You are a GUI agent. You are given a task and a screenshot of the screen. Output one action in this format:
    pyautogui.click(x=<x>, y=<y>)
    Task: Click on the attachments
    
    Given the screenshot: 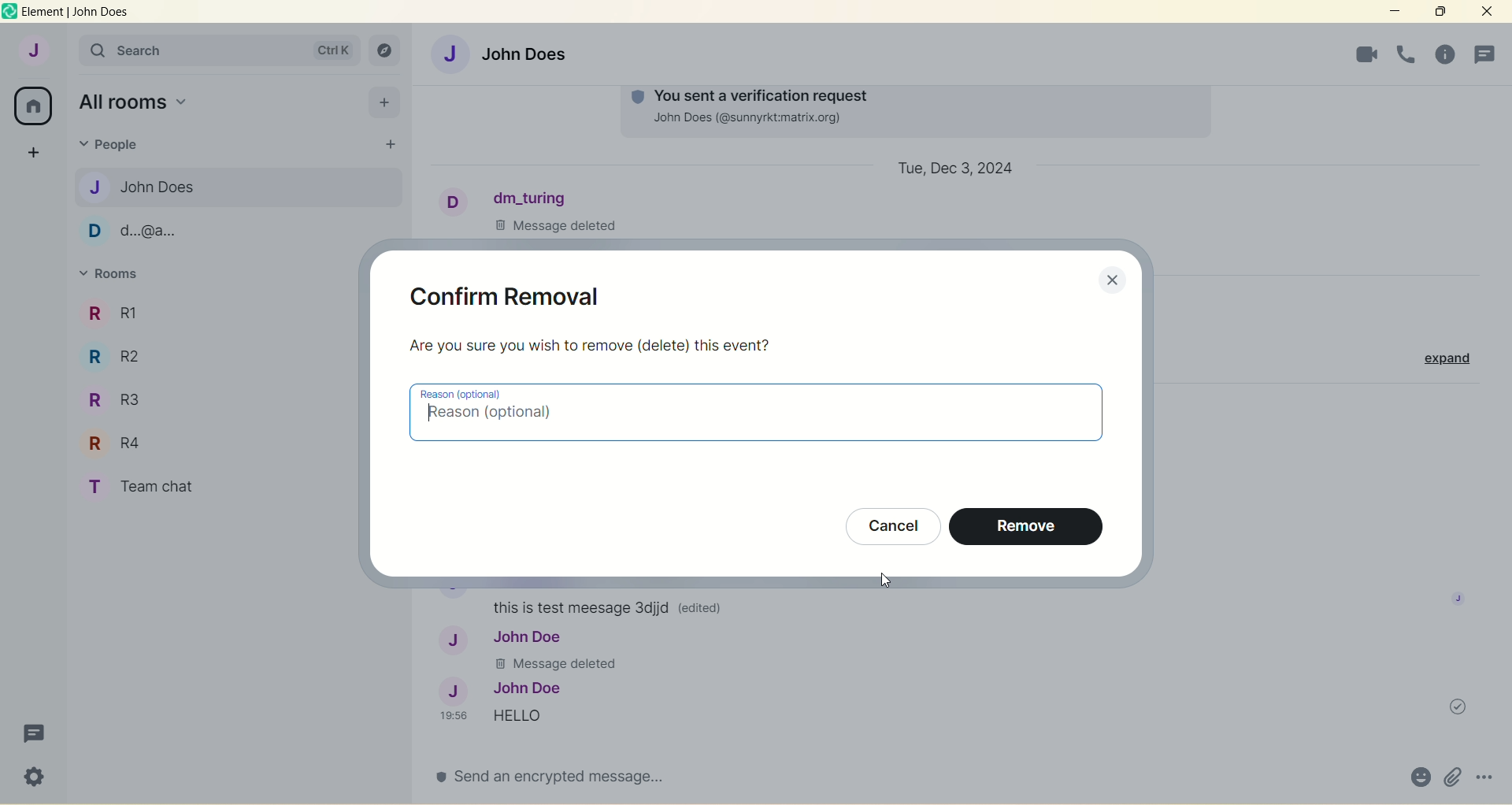 What is the action you would take?
    pyautogui.click(x=1449, y=776)
    